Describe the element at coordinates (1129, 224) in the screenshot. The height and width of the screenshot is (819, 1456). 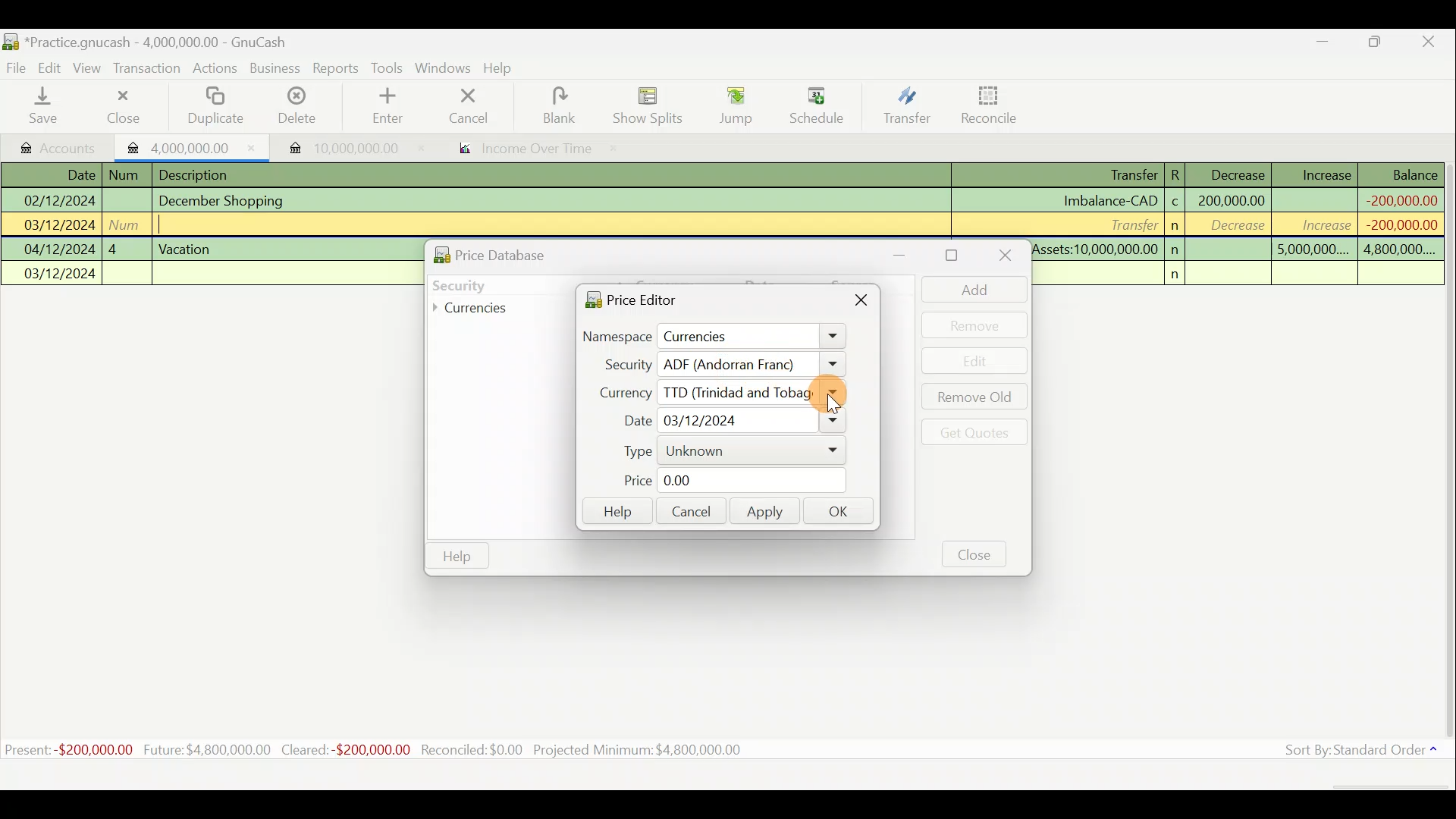
I see `Transfer` at that location.